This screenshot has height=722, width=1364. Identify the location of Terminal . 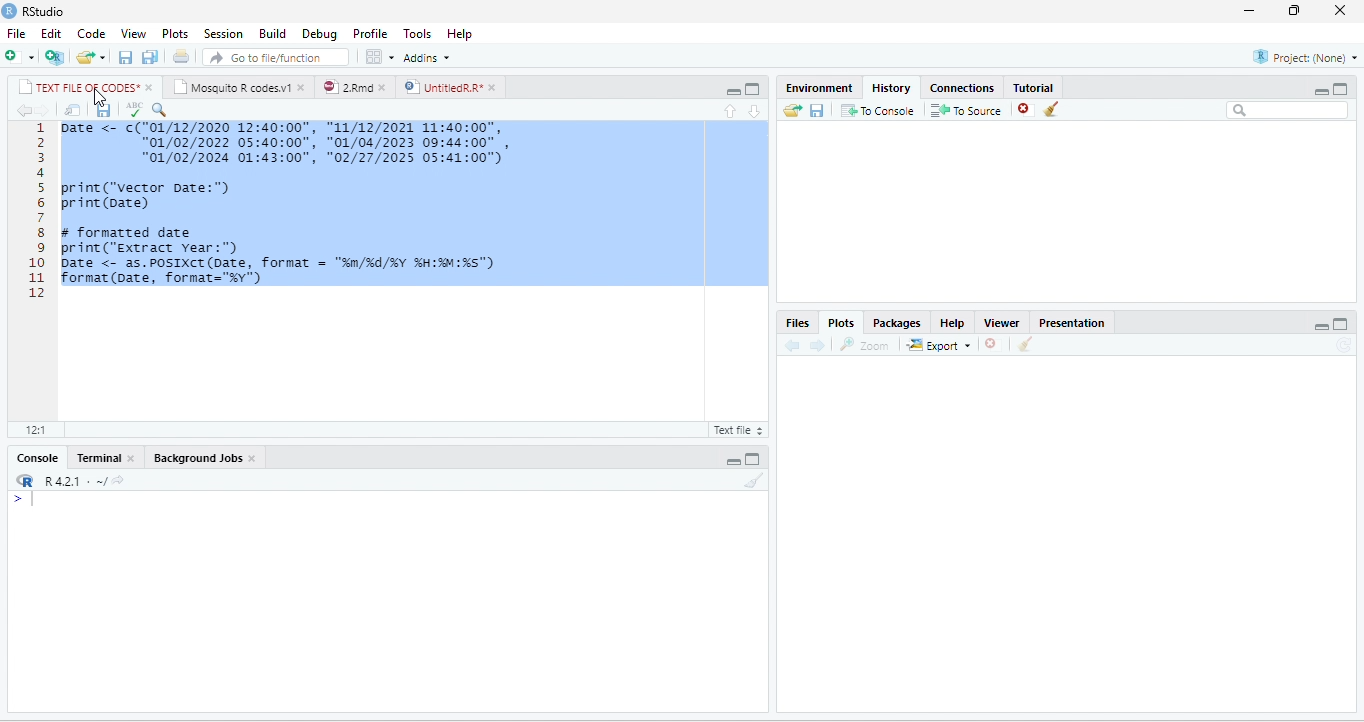
(97, 458).